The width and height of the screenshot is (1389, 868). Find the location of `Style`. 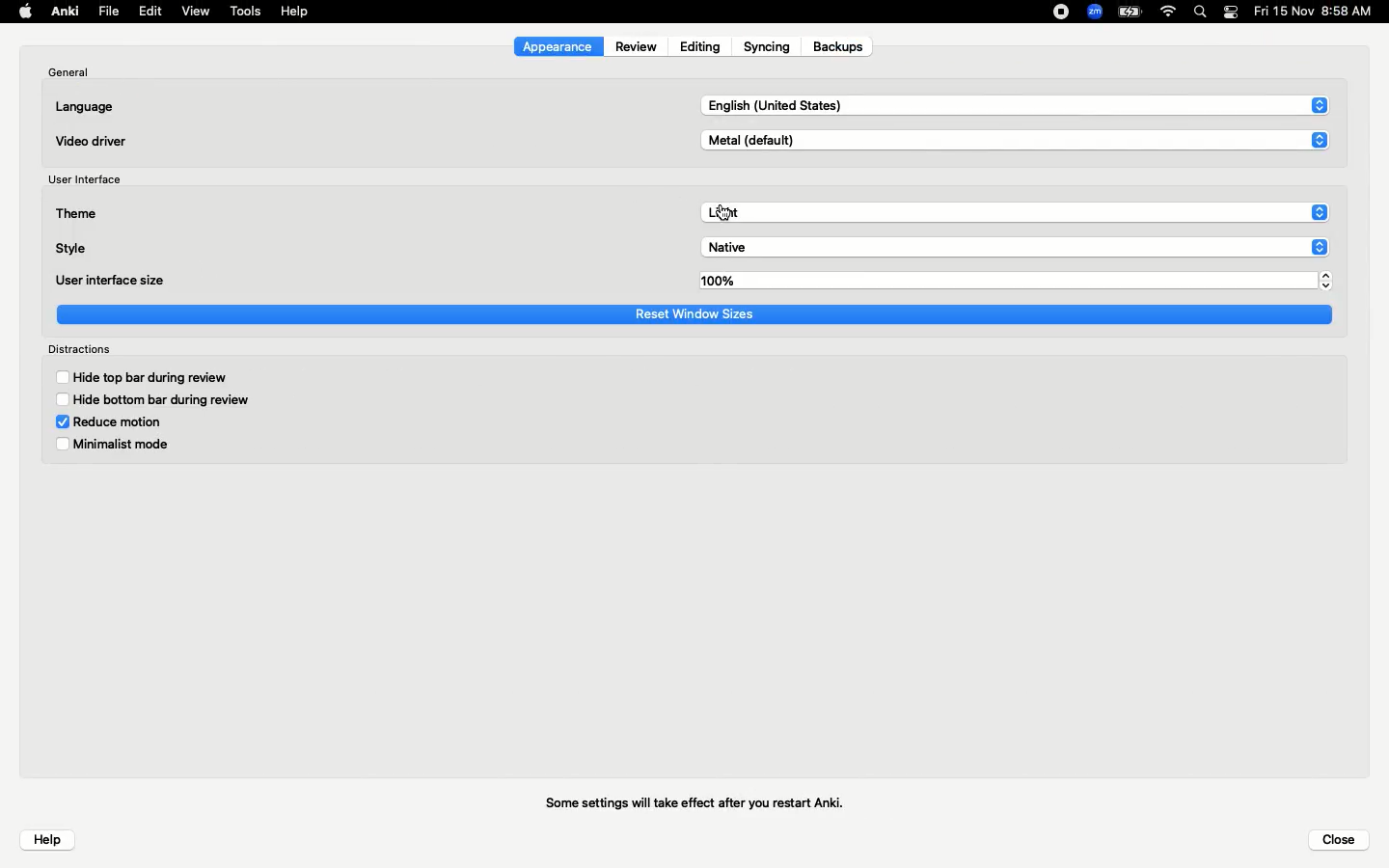

Style is located at coordinates (72, 249).